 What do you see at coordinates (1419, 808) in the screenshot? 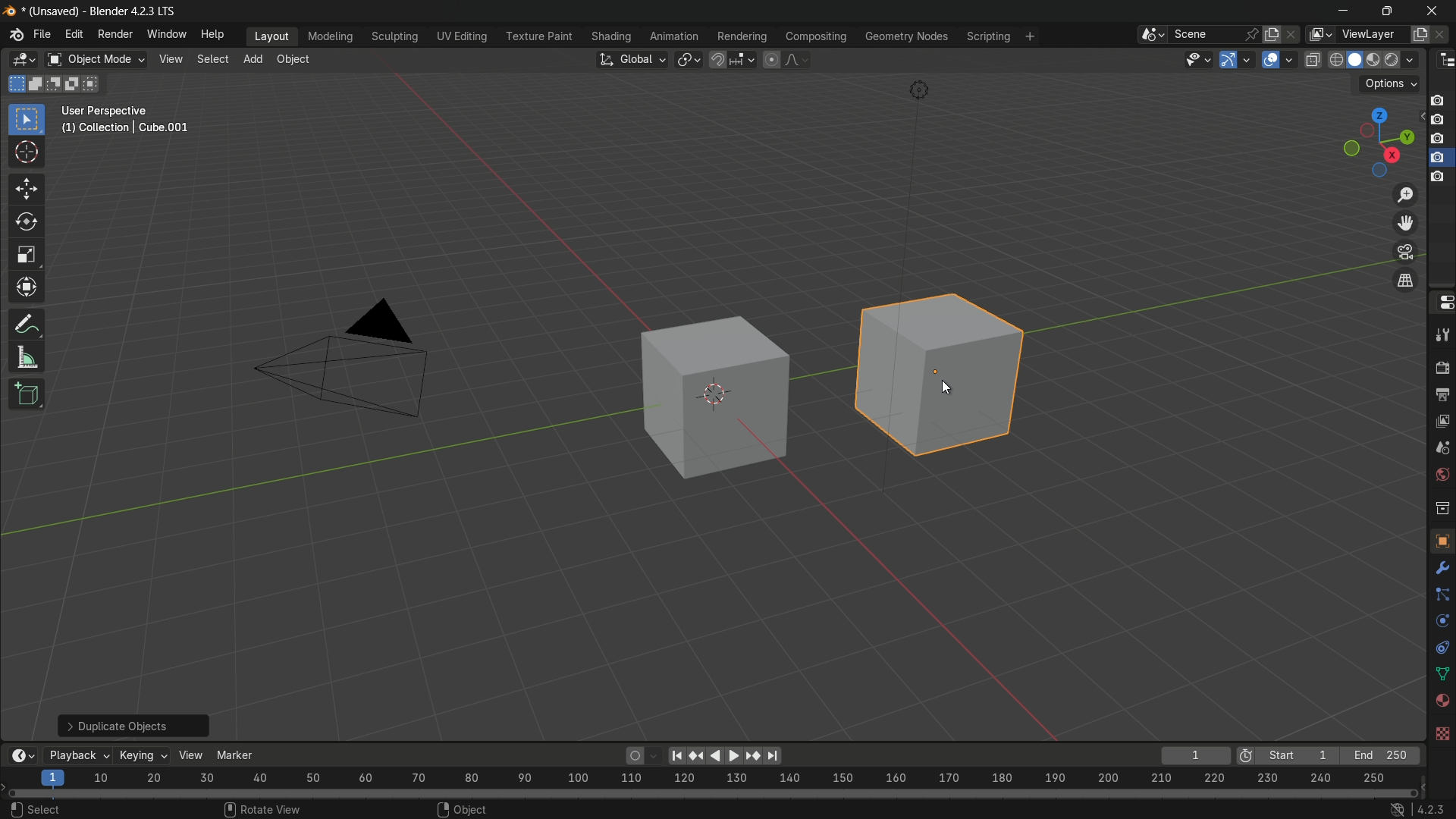
I see `4.2.3` at bounding box center [1419, 808].